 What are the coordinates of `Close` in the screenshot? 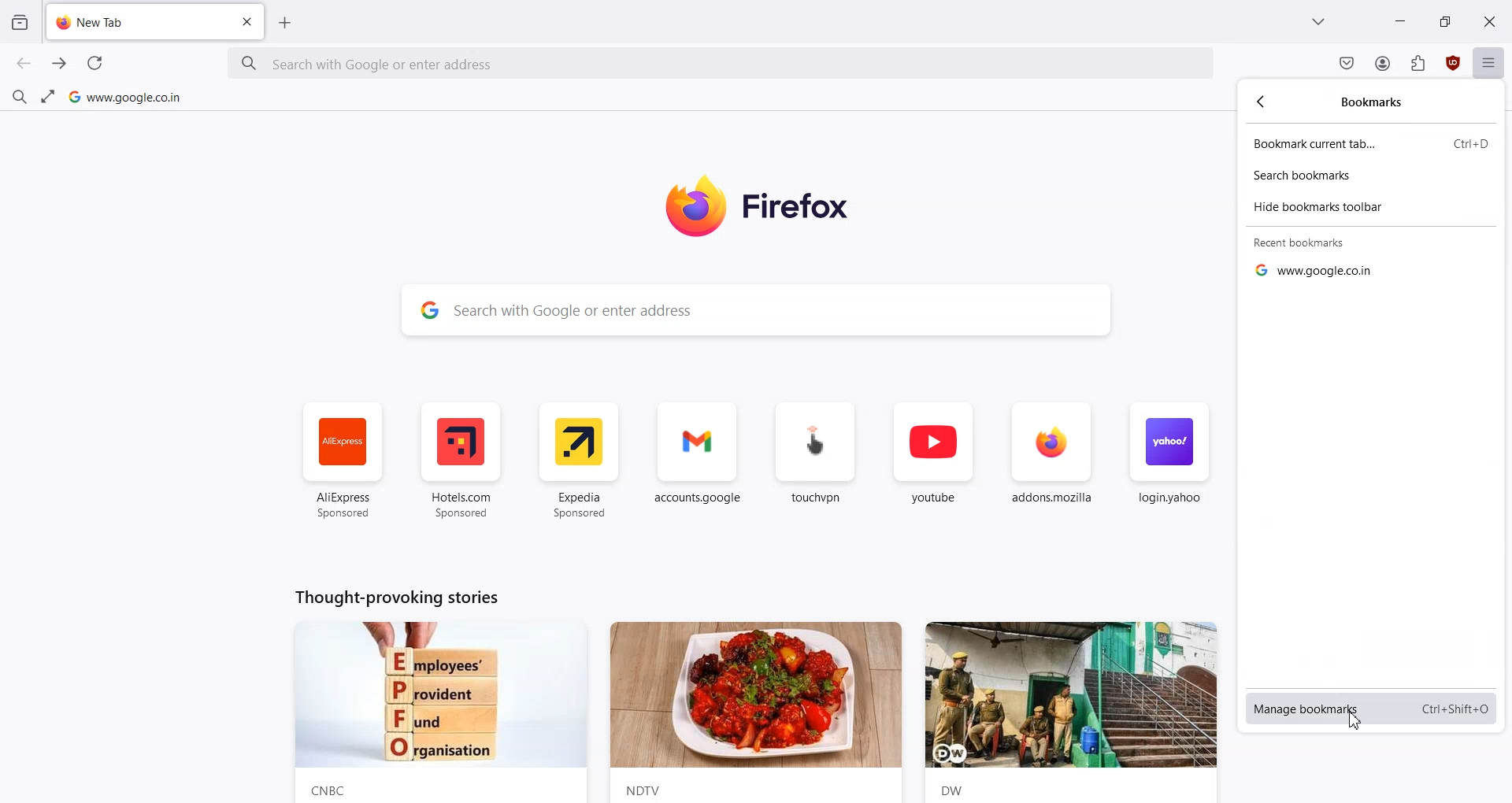 It's located at (1491, 20).